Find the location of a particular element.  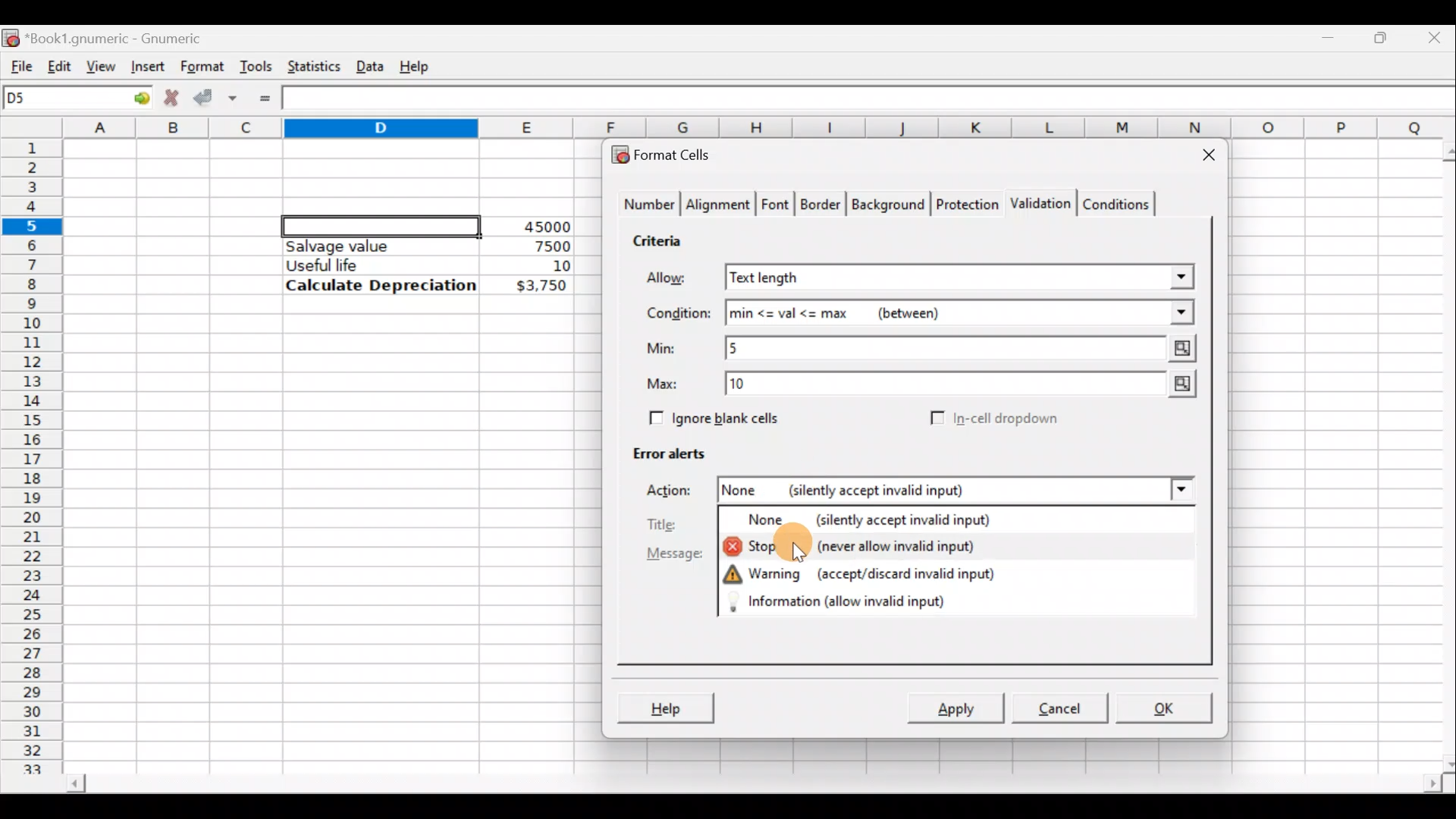

Max value = 10 is located at coordinates (965, 387).